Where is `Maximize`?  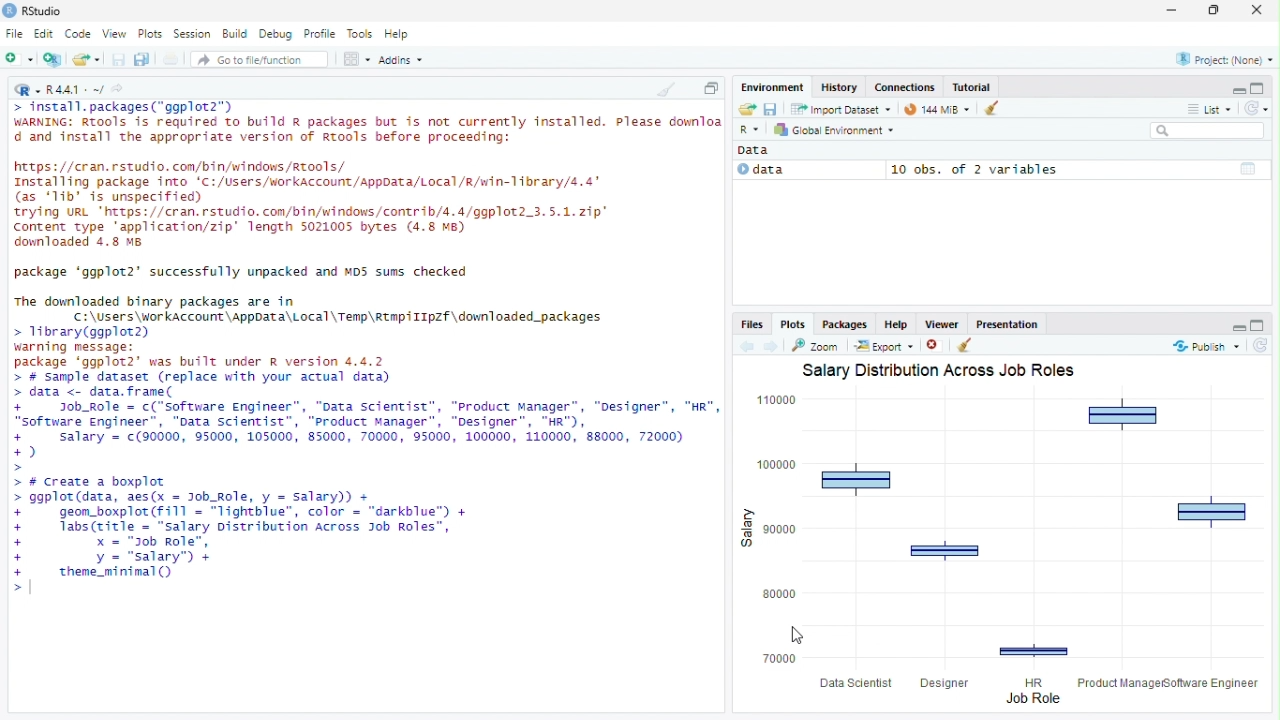 Maximize is located at coordinates (1210, 11).